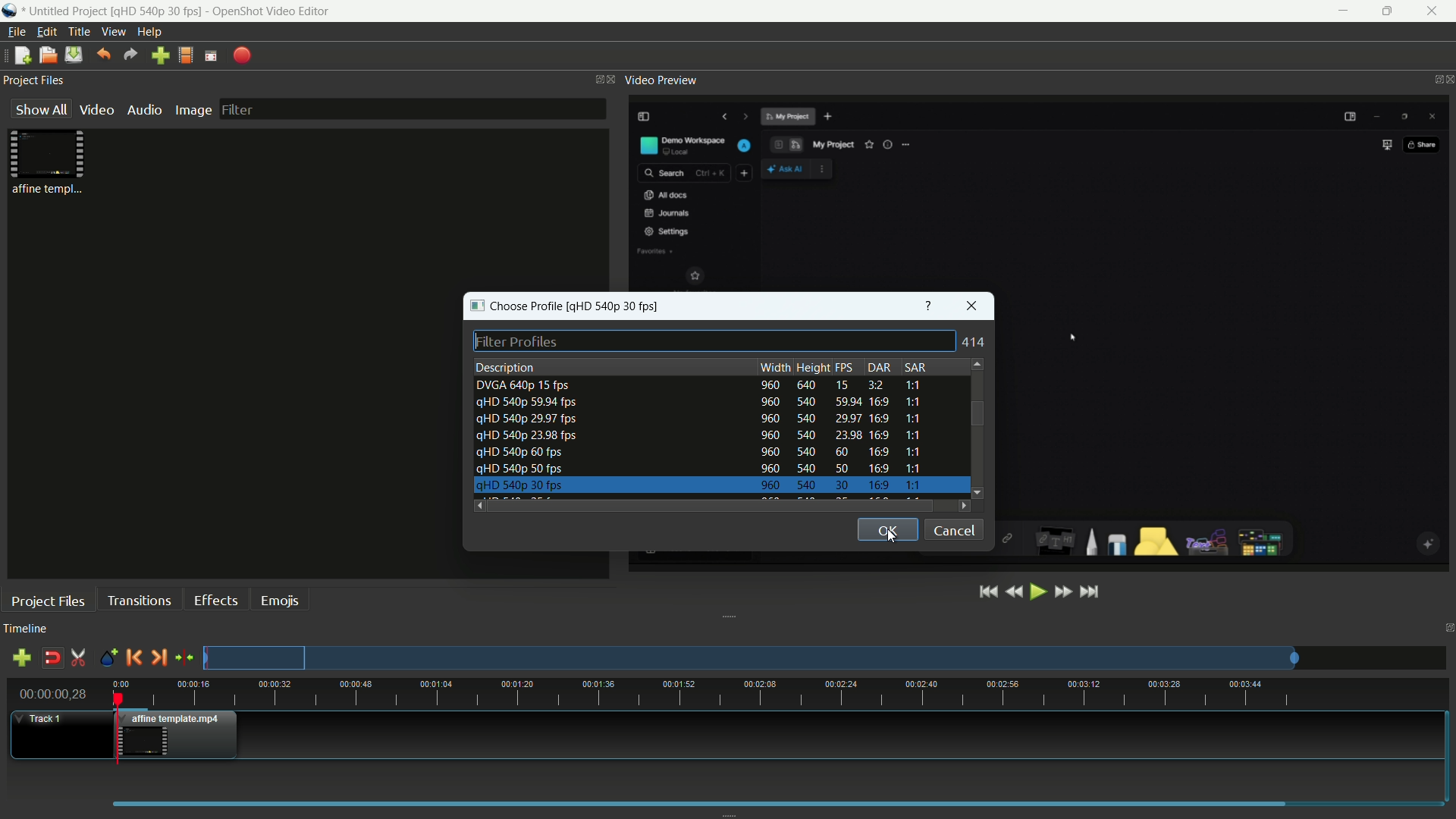 Image resolution: width=1456 pixels, height=819 pixels. What do you see at coordinates (108, 659) in the screenshot?
I see `create marker` at bounding box center [108, 659].